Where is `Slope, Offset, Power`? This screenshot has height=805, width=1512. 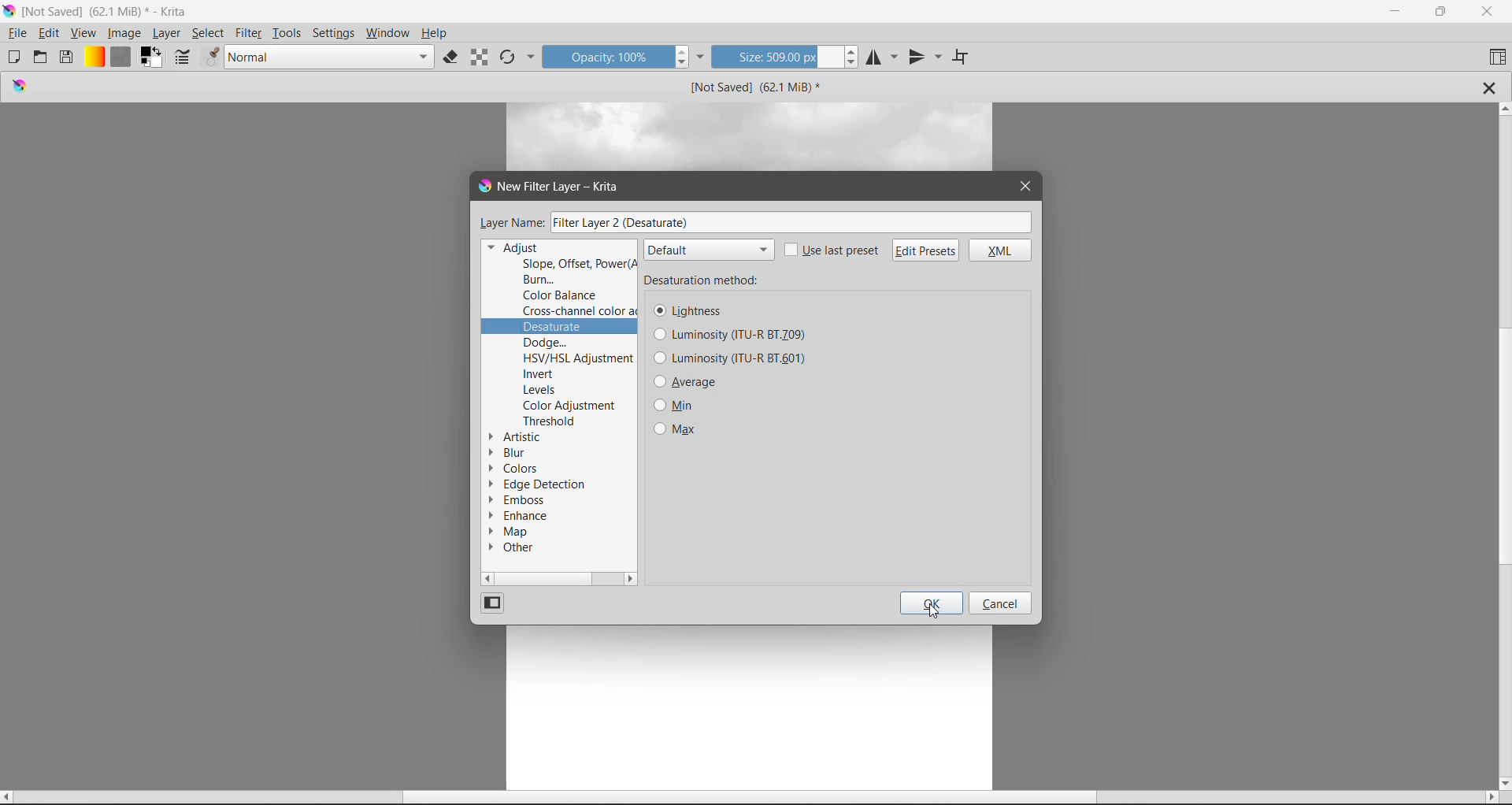 Slope, Offset, Power is located at coordinates (578, 264).